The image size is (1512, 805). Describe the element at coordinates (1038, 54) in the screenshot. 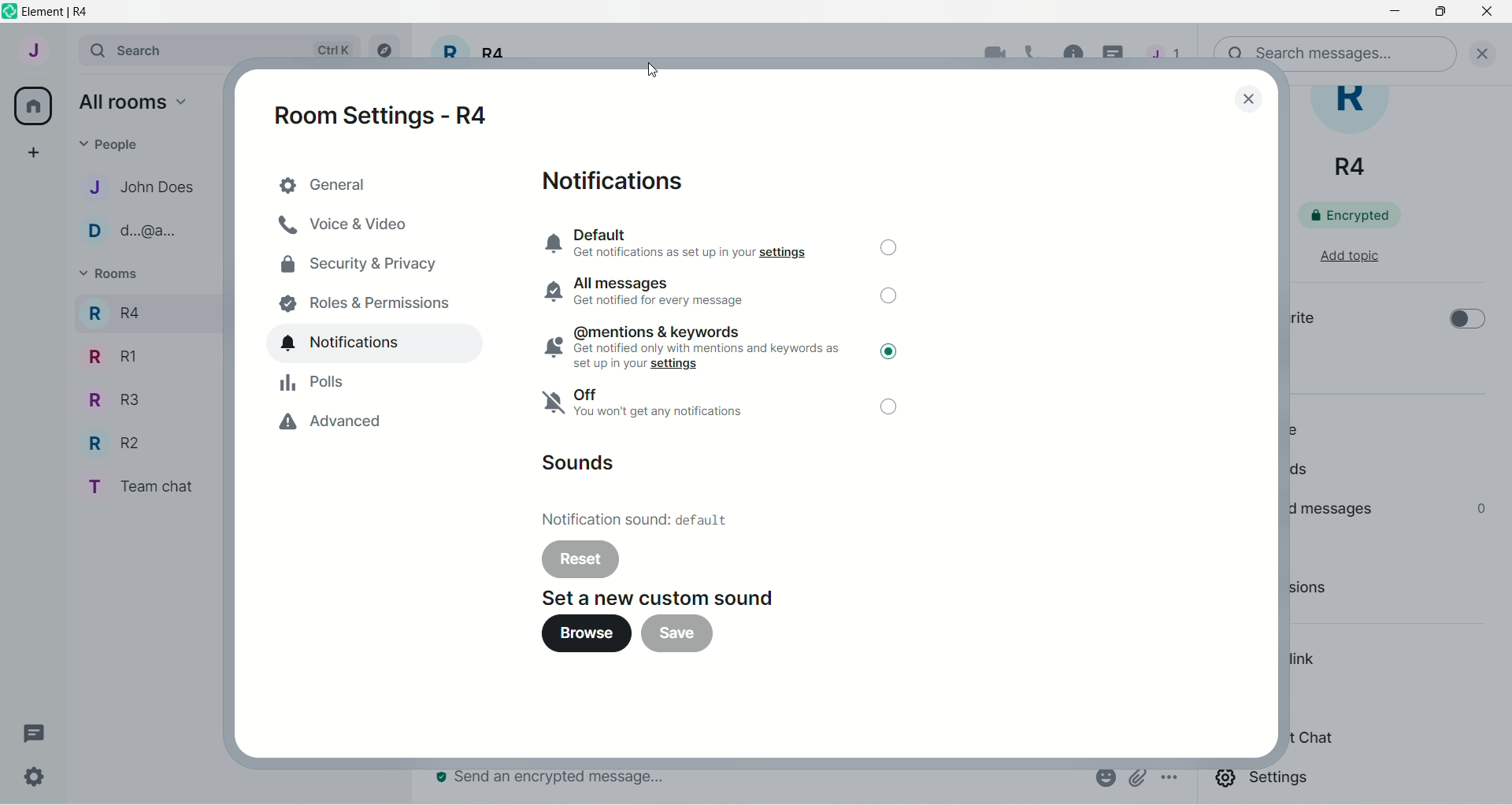

I see `voice call` at that location.